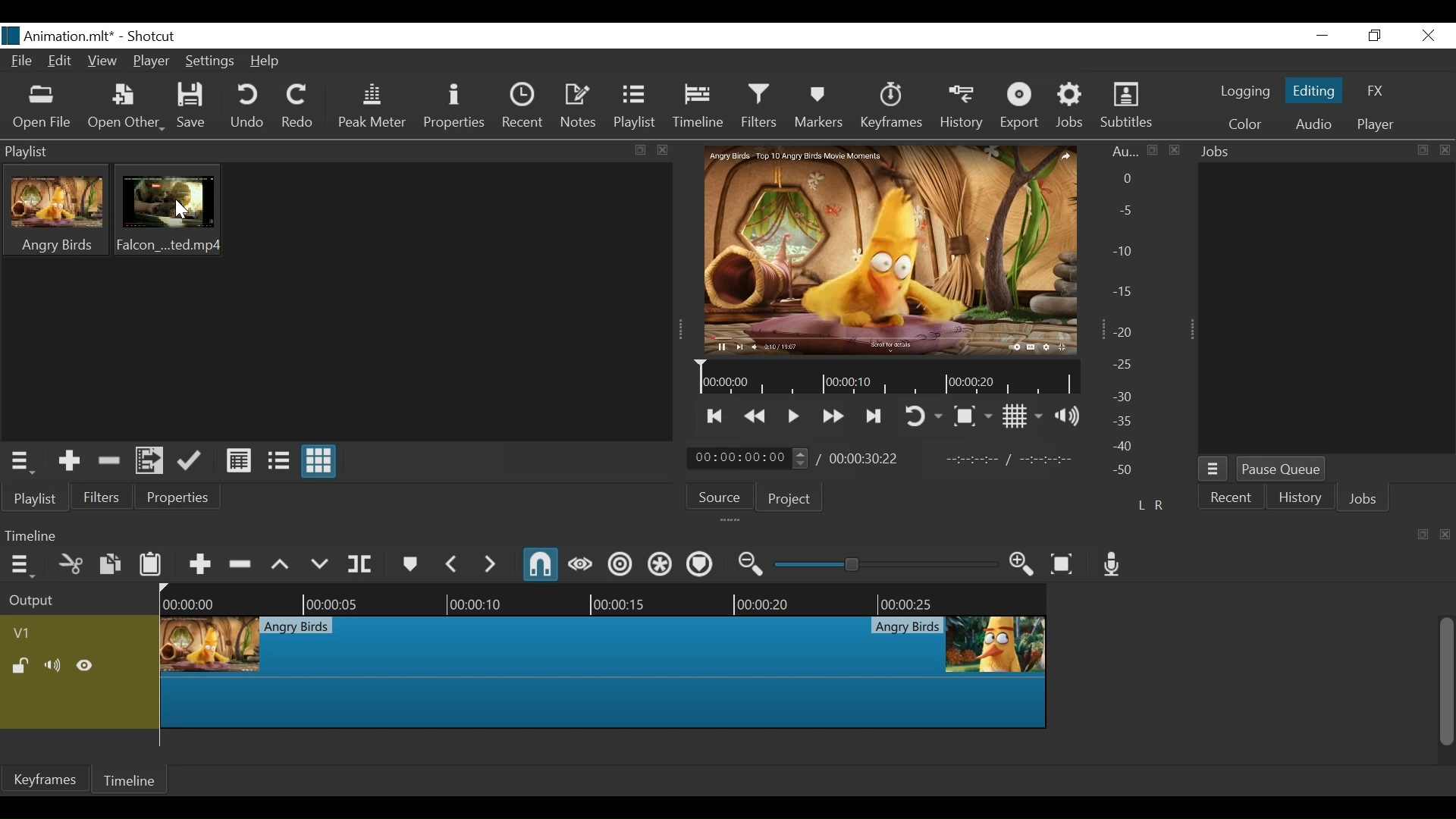 The width and height of the screenshot is (1456, 819). I want to click on Peak Meter, so click(372, 108).